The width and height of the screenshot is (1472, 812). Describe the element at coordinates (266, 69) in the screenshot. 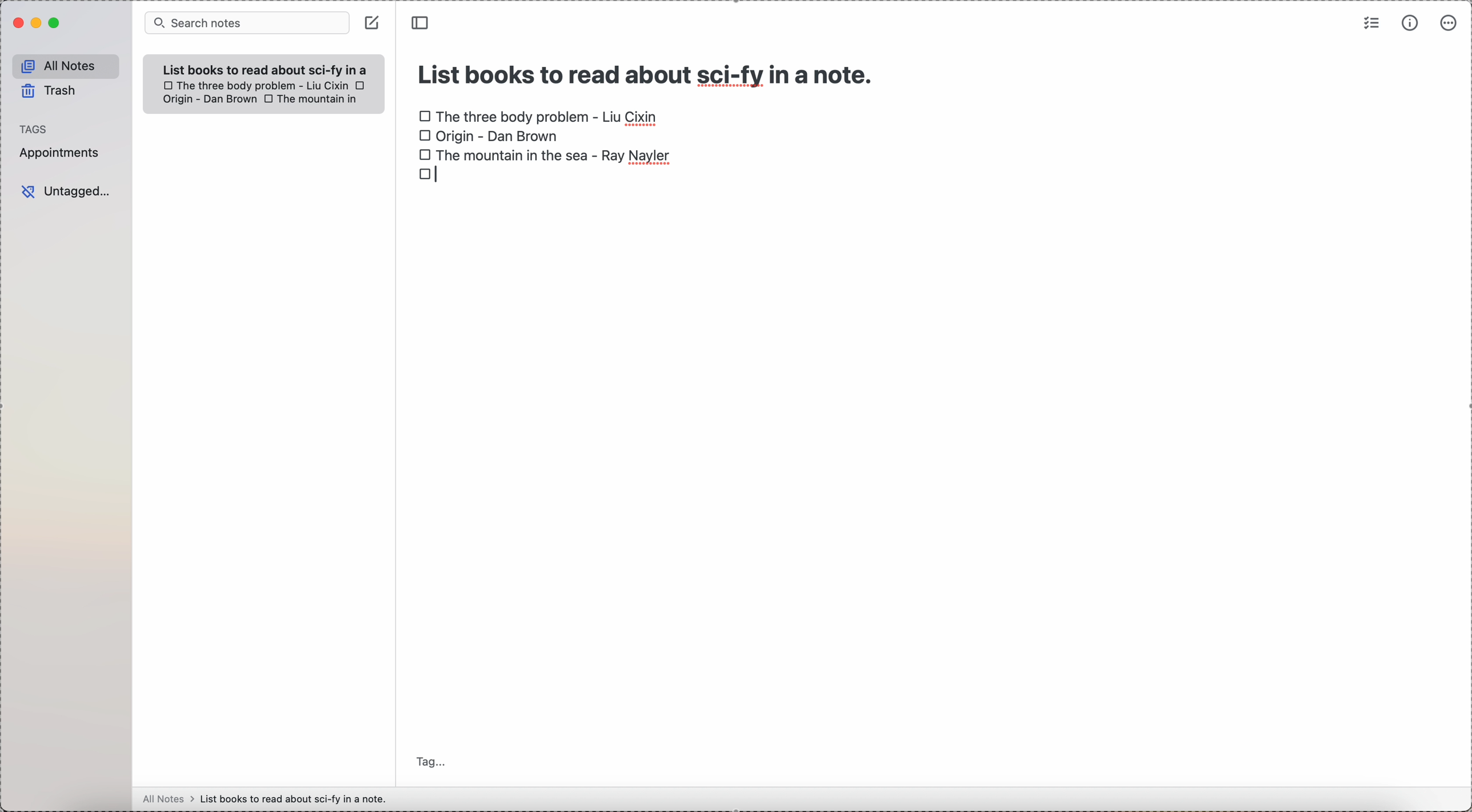

I see `List books to read about sci-fy in a note.` at that location.